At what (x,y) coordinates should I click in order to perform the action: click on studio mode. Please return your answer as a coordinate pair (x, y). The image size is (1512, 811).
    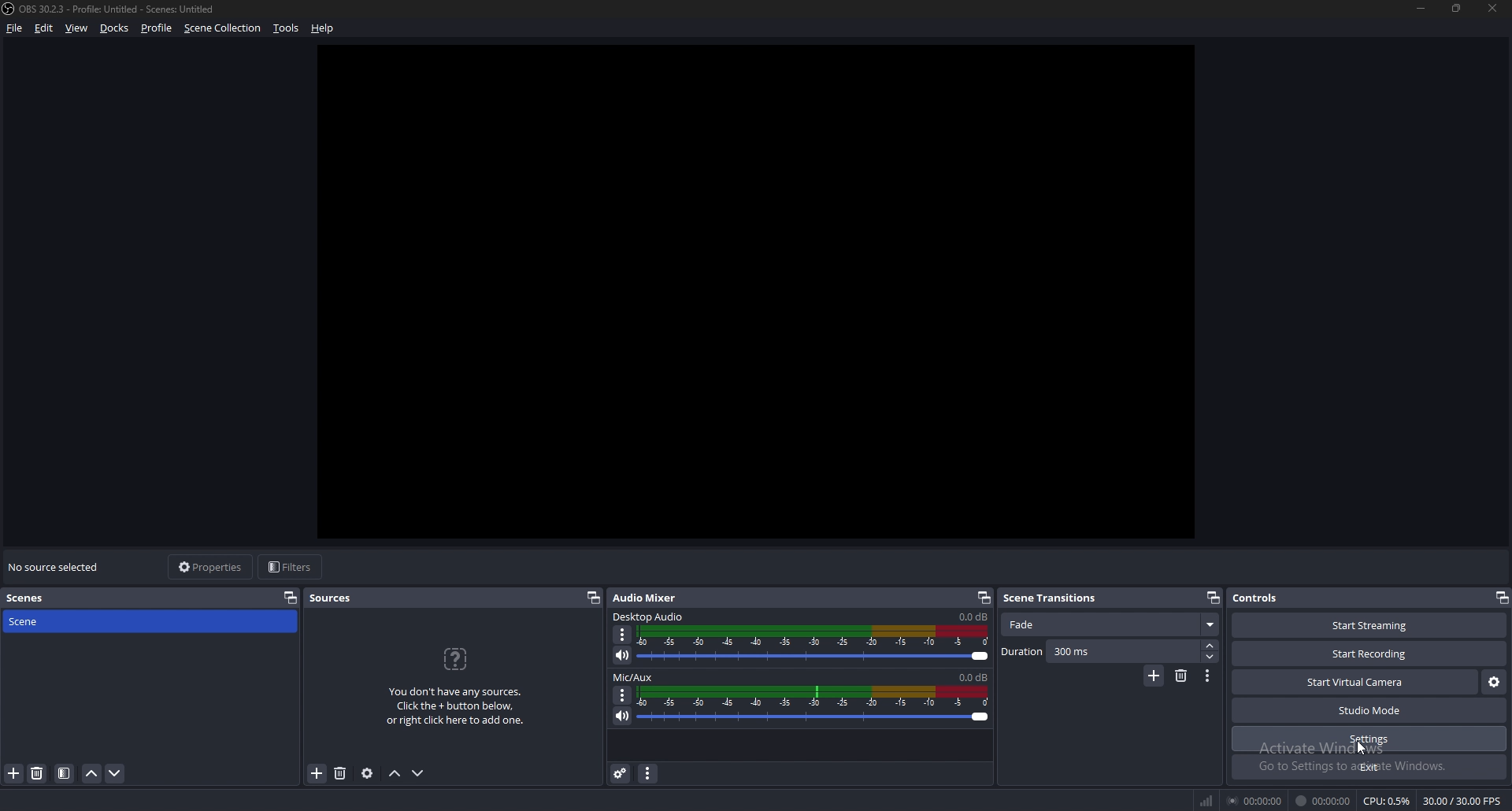
    Looking at the image, I should click on (1370, 711).